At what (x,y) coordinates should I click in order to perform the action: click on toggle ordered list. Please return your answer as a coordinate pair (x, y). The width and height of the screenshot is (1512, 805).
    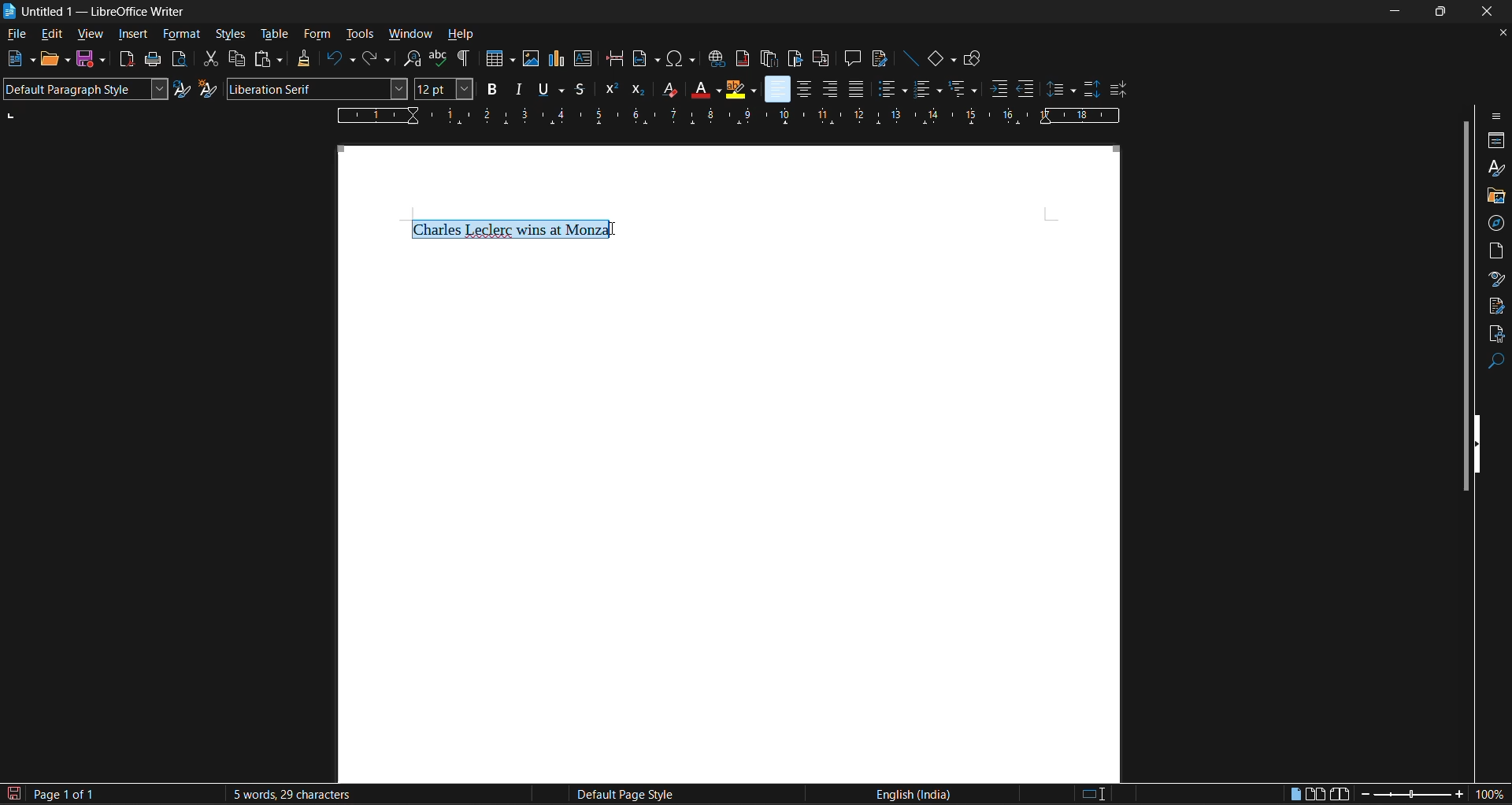
    Looking at the image, I should click on (928, 90).